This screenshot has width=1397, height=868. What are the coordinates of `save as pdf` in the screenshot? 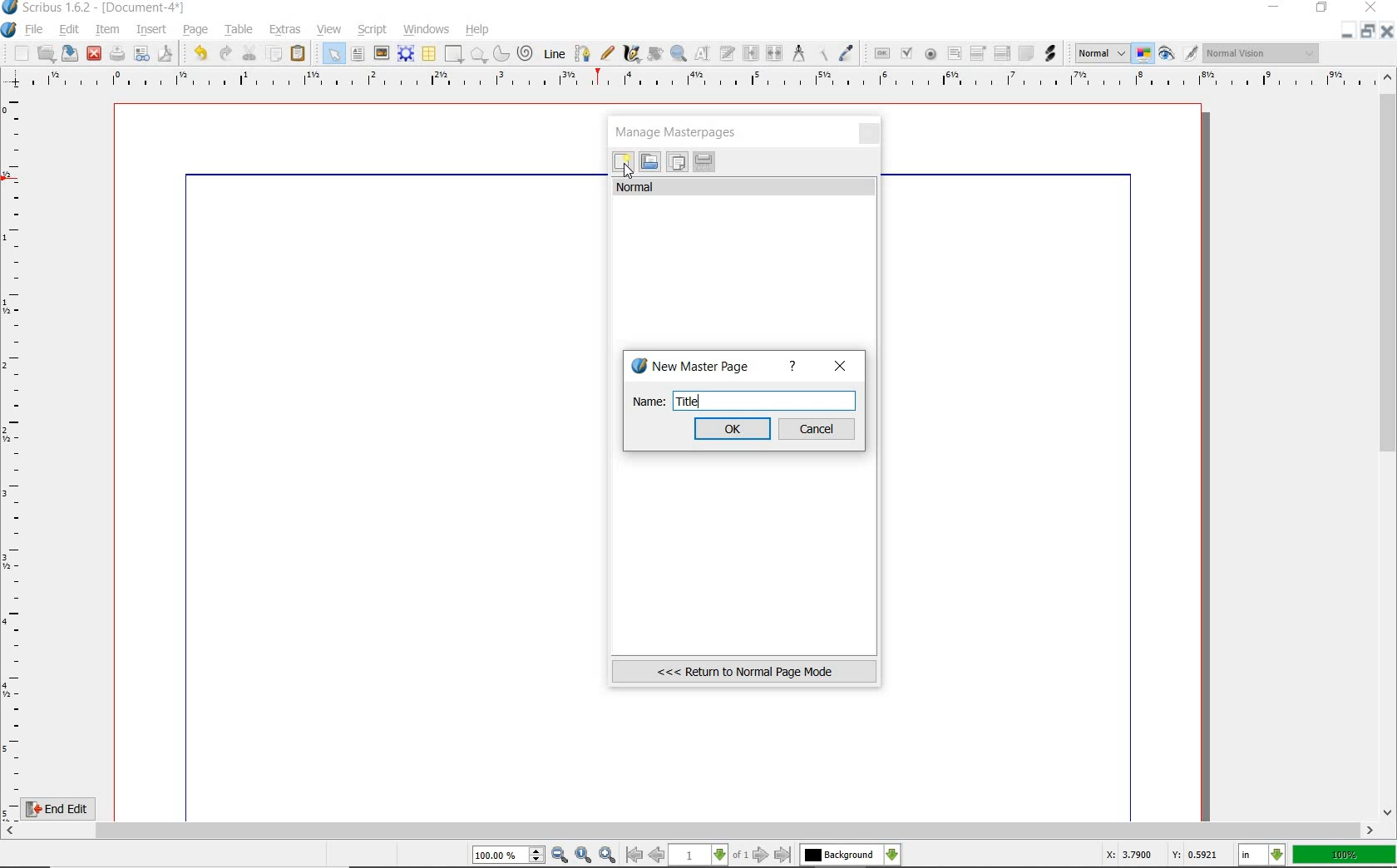 It's located at (164, 53).